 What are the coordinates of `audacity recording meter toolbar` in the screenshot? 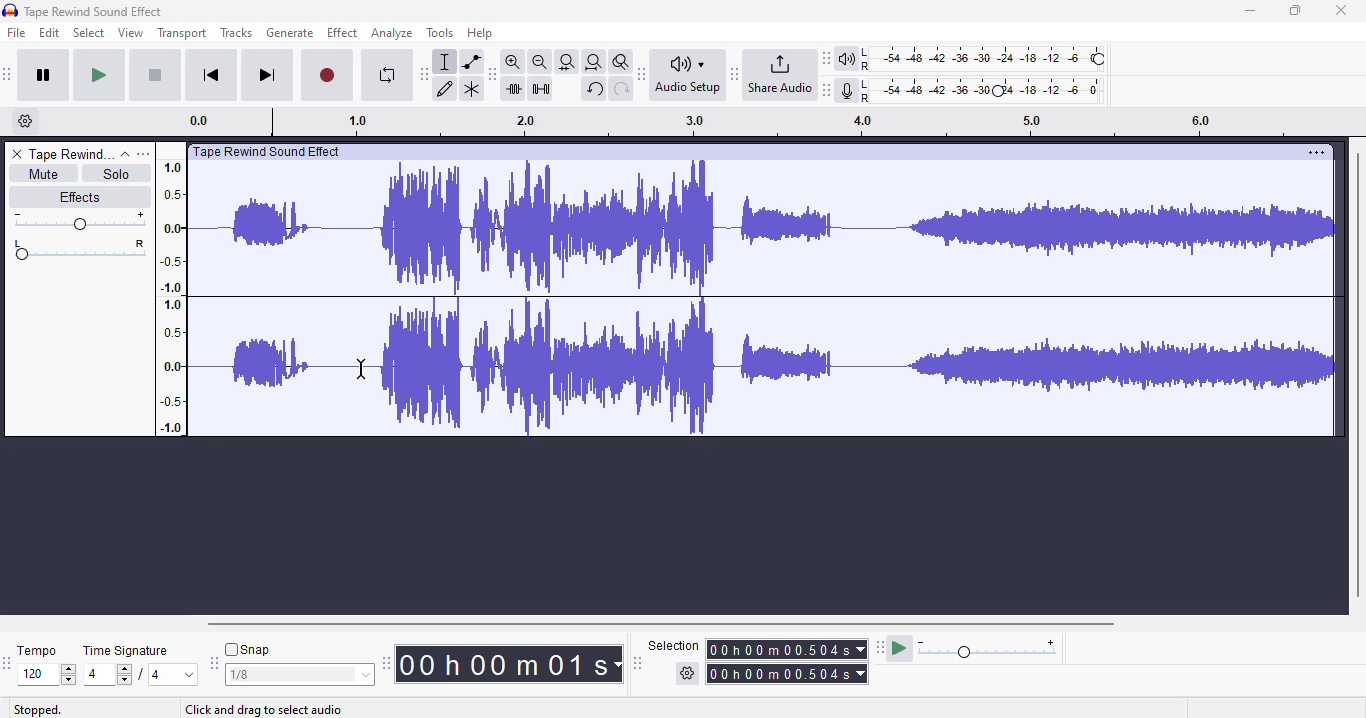 It's located at (827, 90).